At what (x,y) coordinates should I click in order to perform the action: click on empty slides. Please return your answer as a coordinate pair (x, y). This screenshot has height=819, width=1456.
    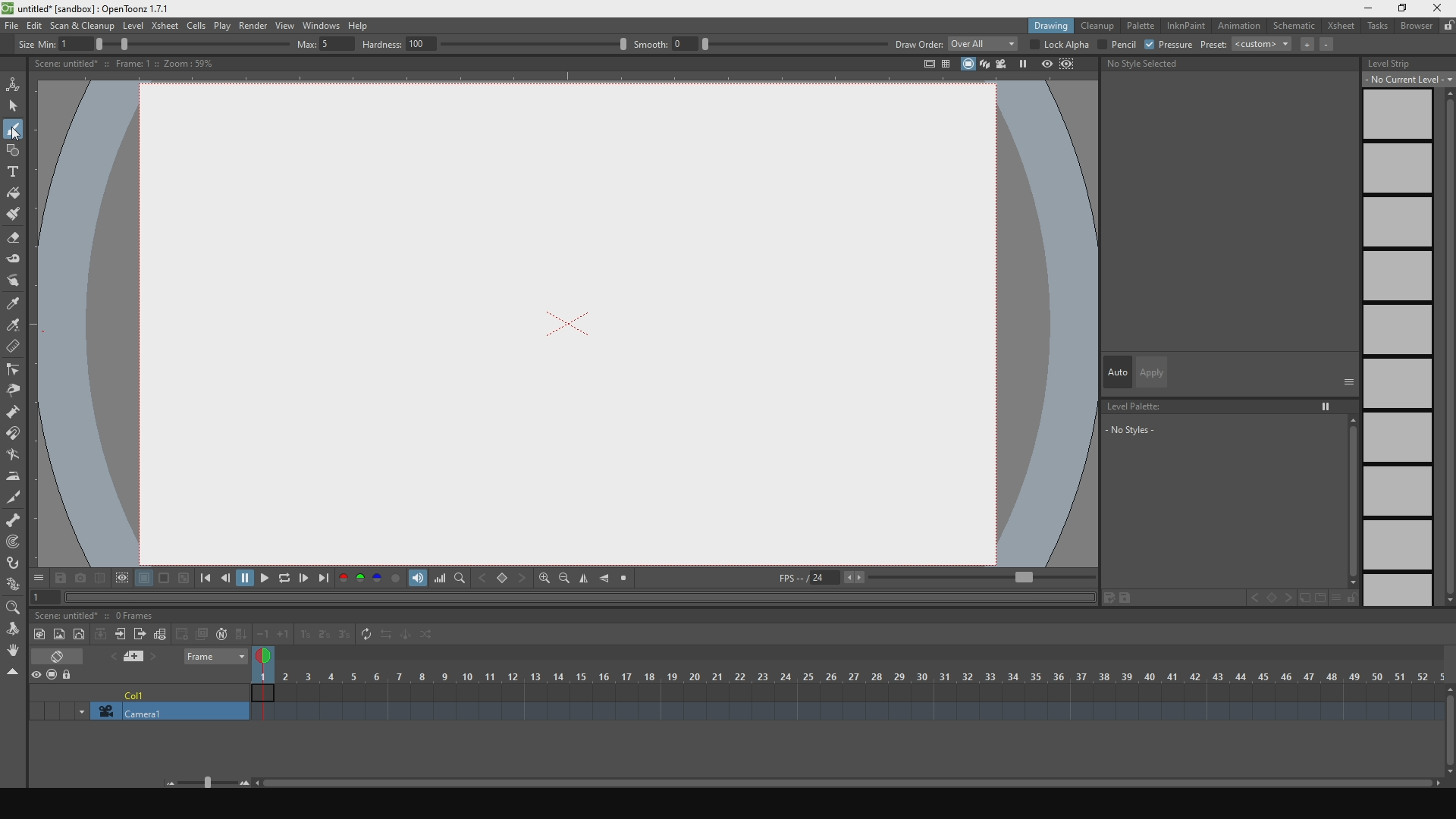
    Looking at the image, I should click on (1398, 350).